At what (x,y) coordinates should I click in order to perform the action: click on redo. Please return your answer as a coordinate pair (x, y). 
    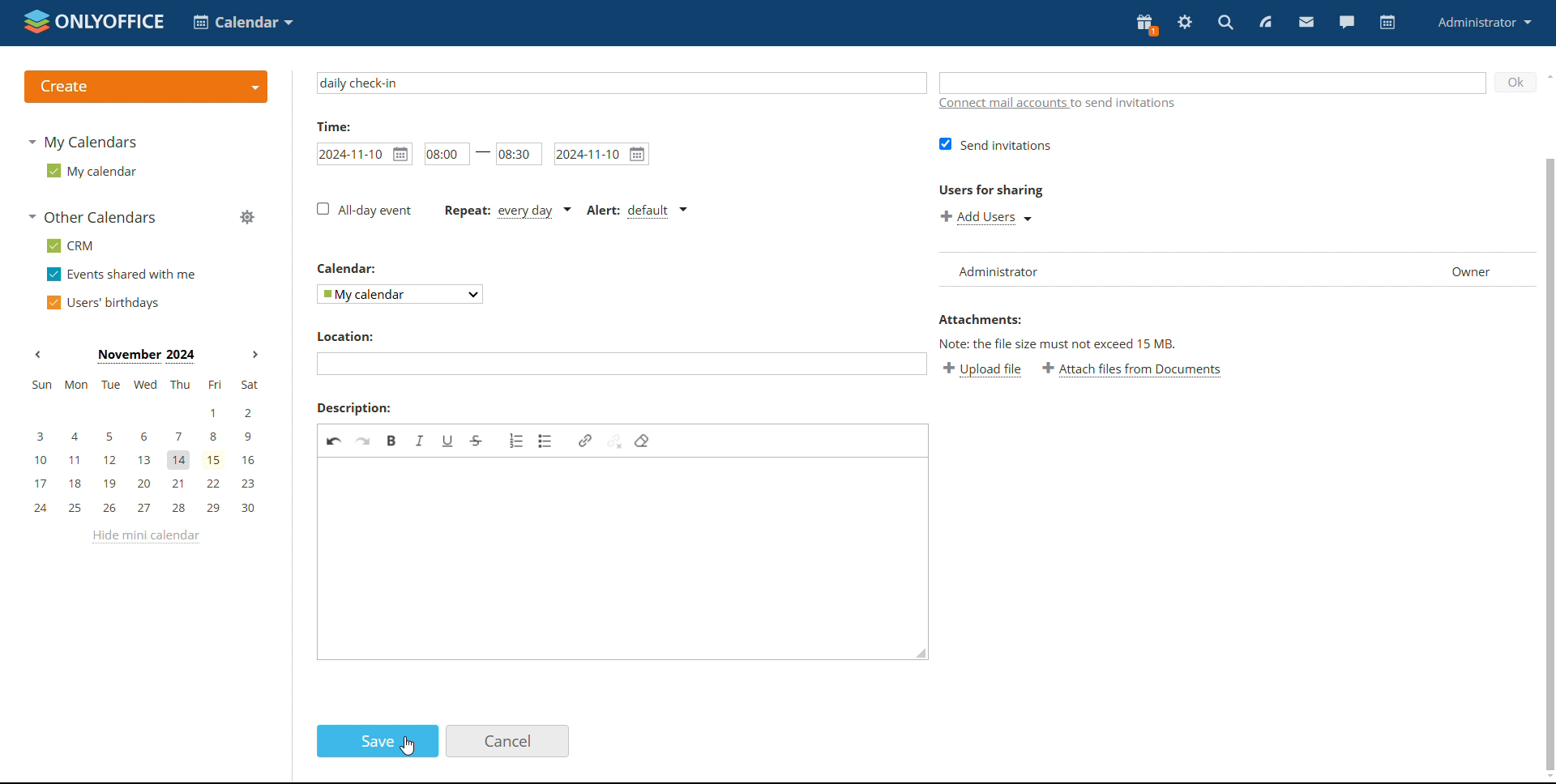
    Looking at the image, I should click on (363, 444).